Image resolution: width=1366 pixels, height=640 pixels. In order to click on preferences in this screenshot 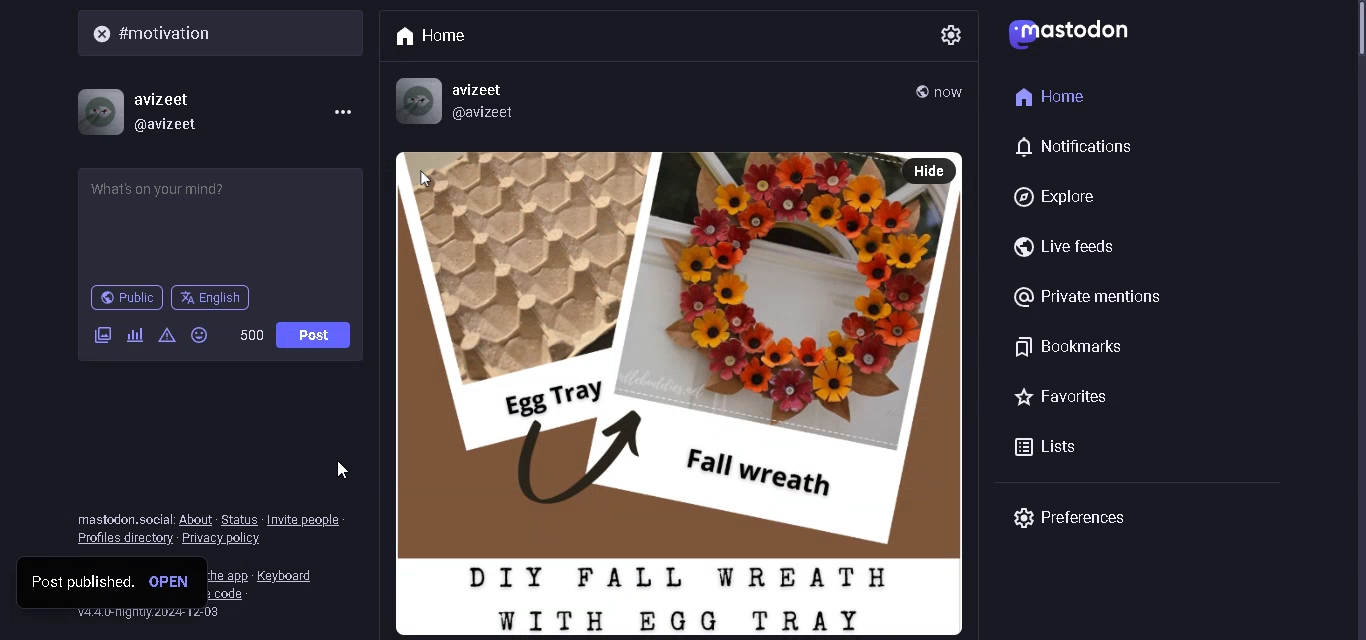, I will do `click(1068, 518)`.